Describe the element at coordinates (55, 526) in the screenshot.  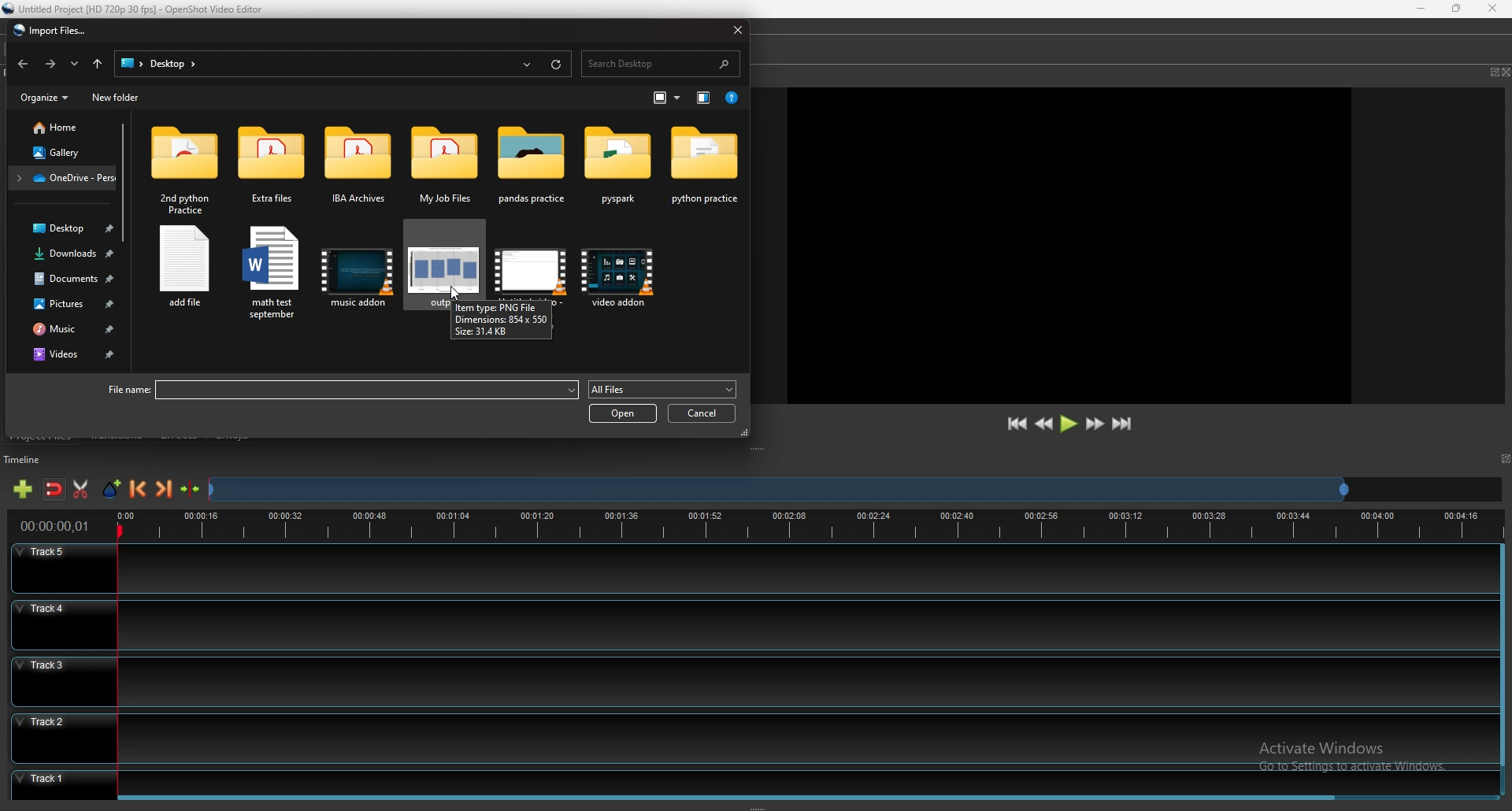
I see `time` at that location.